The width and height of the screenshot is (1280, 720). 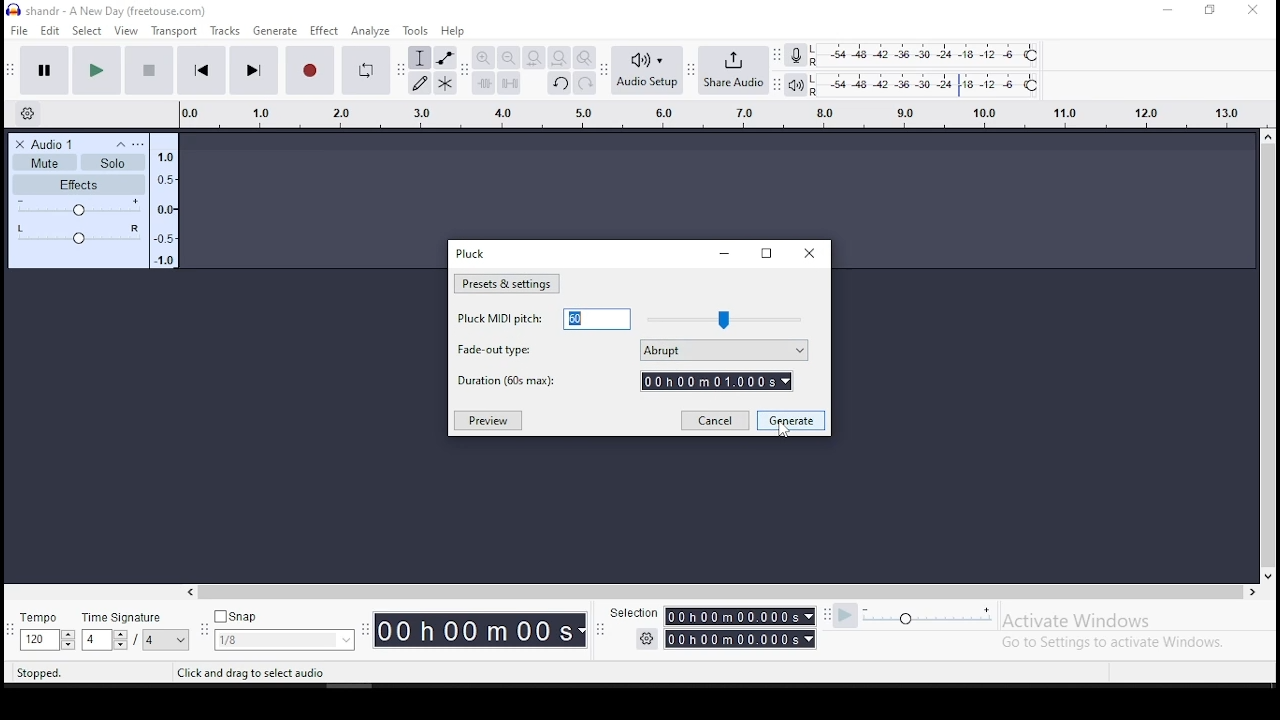 What do you see at coordinates (254, 70) in the screenshot?
I see `skip to end` at bounding box center [254, 70].